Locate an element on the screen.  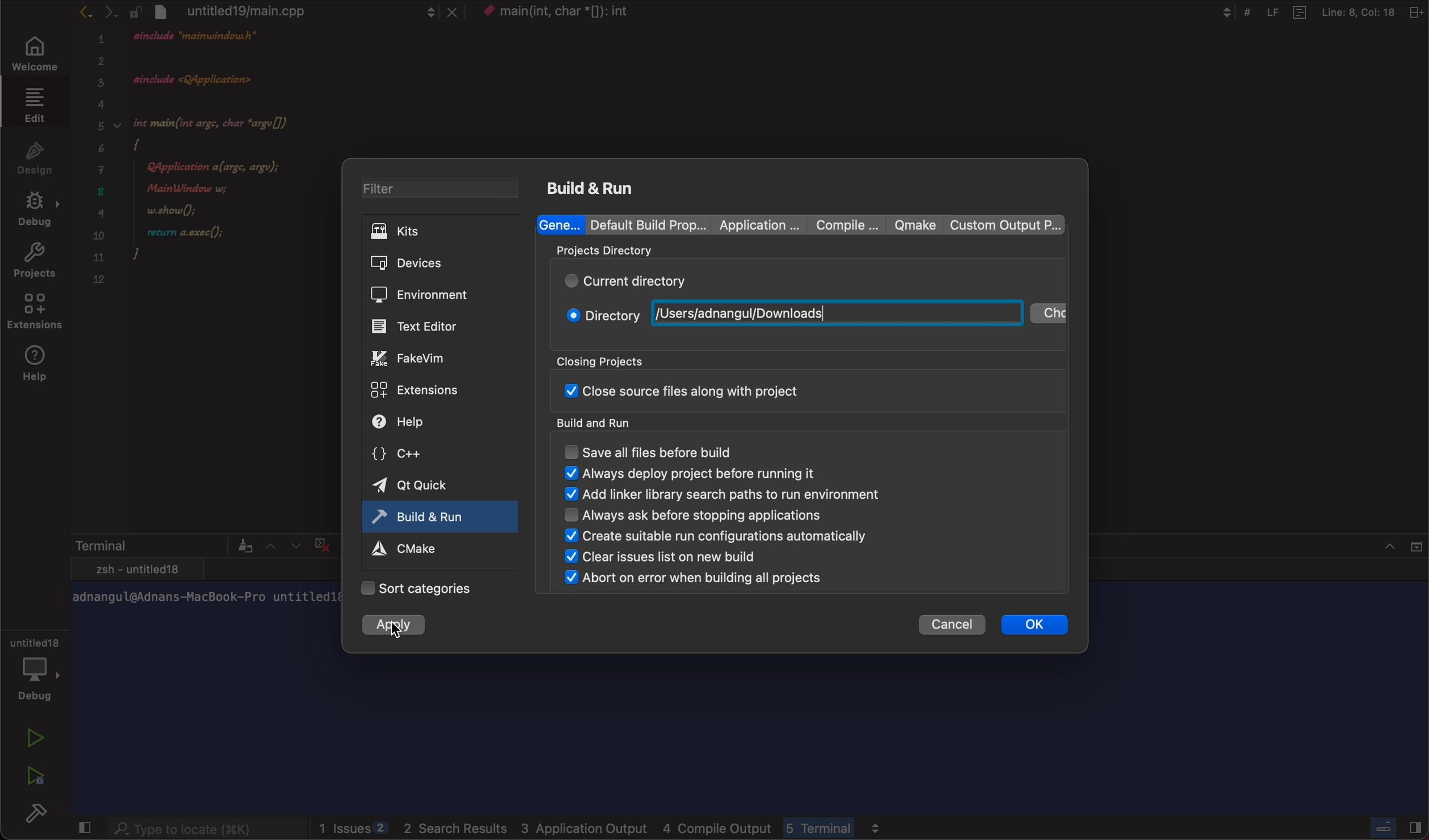
kits is located at coordinates (439, 230).